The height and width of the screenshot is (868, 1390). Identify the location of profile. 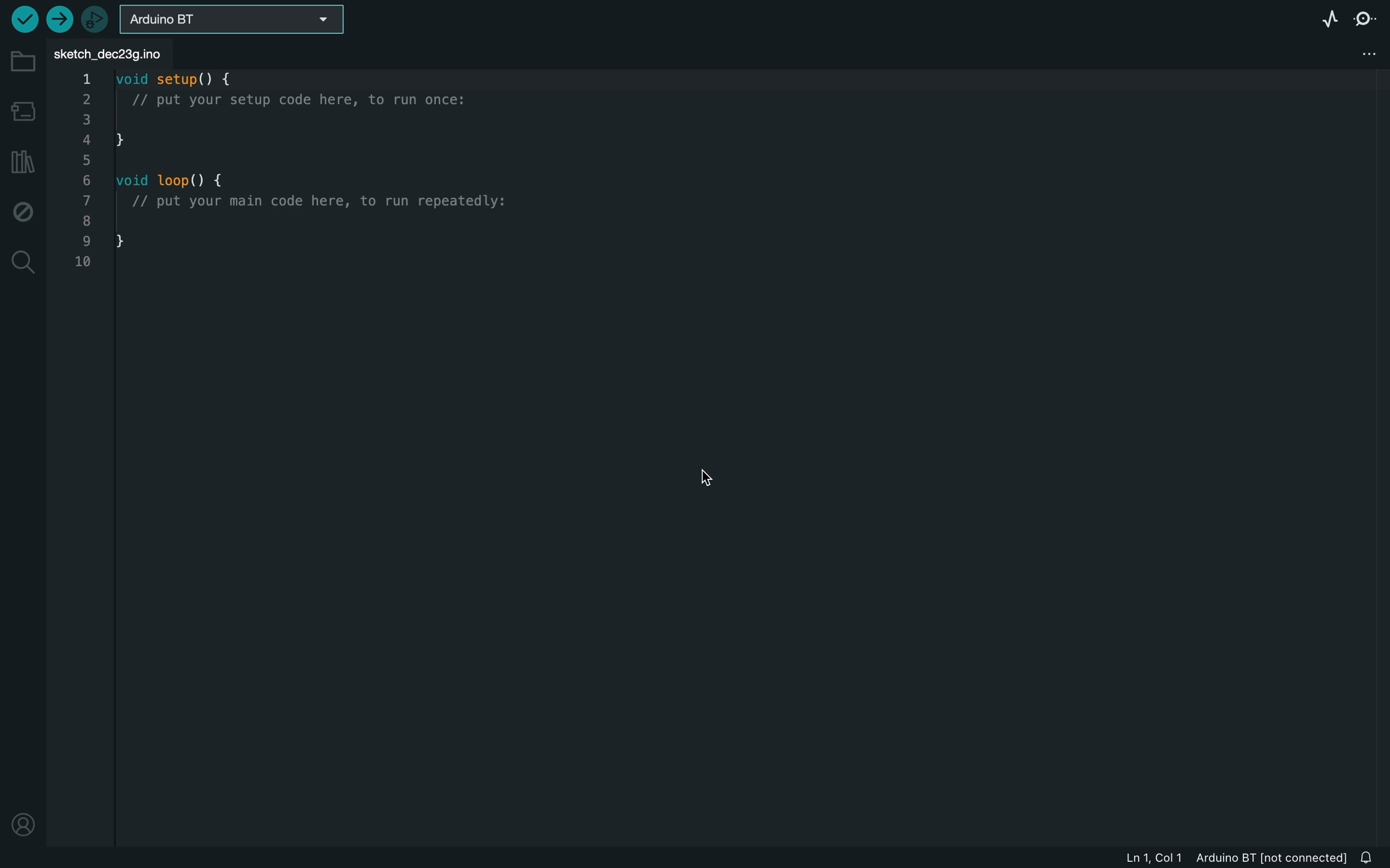
(25, 820).